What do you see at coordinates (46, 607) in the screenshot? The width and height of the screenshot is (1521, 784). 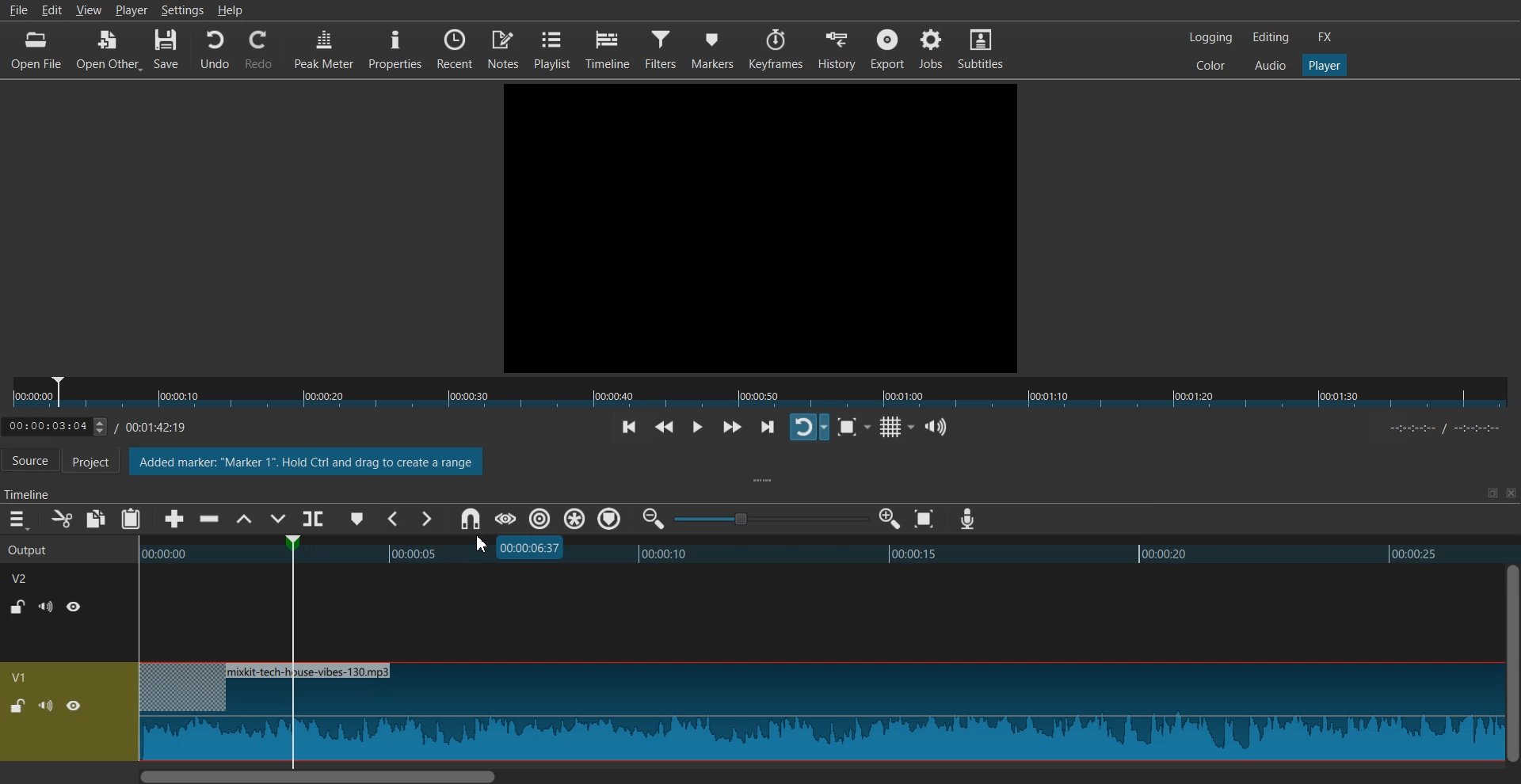 I see `Mute` at bounding box center [46, 607].